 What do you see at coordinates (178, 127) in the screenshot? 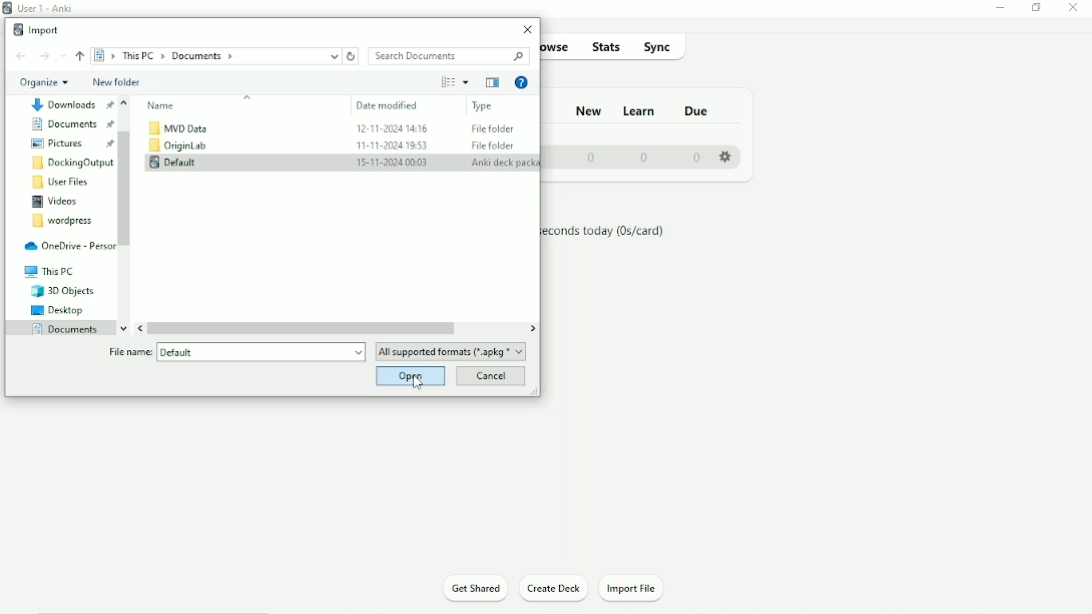
I see `MVD Data` at bounding box center [178, 127].